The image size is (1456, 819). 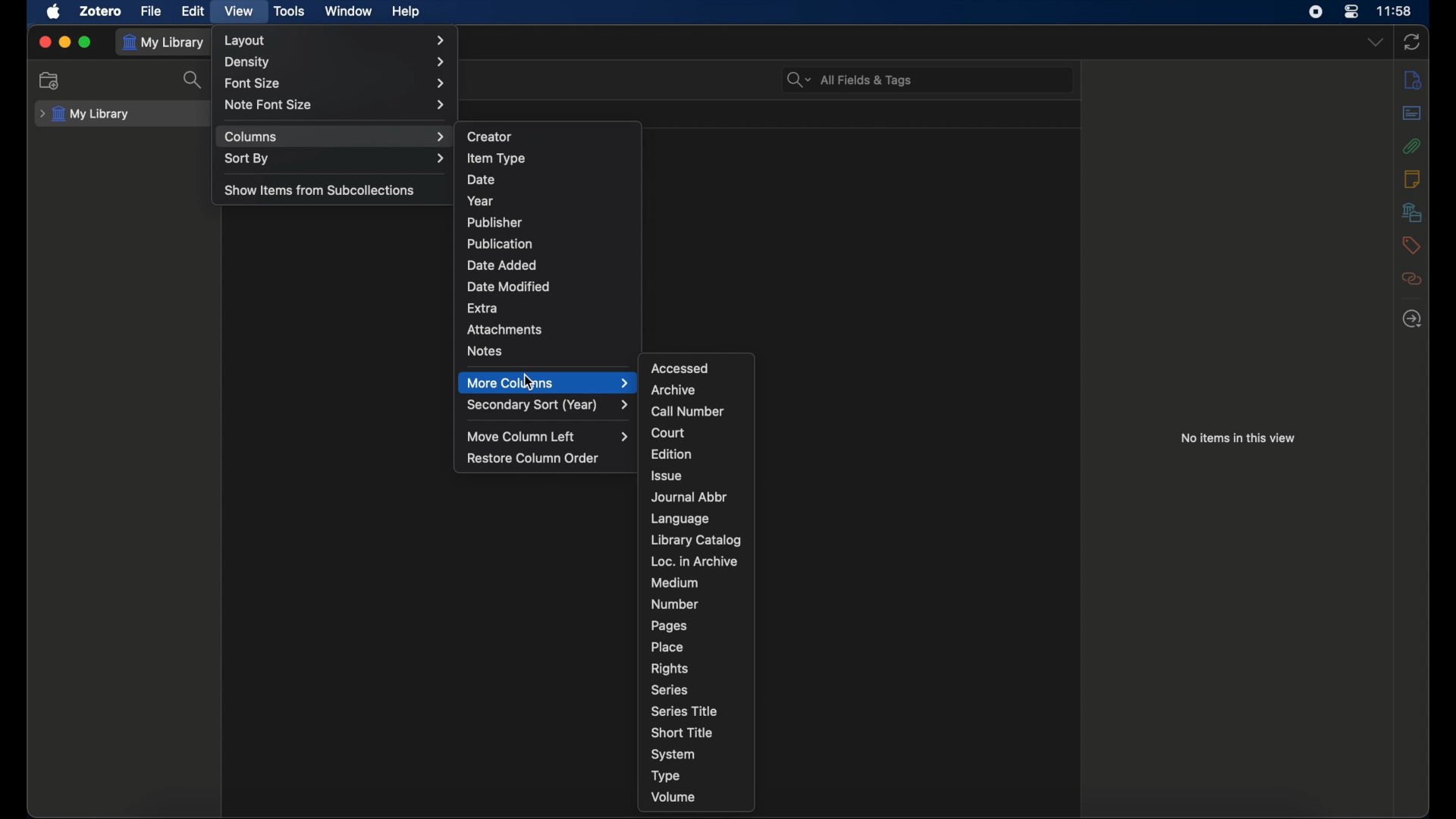 I want to click on note font size, so click(x=337, y=105).